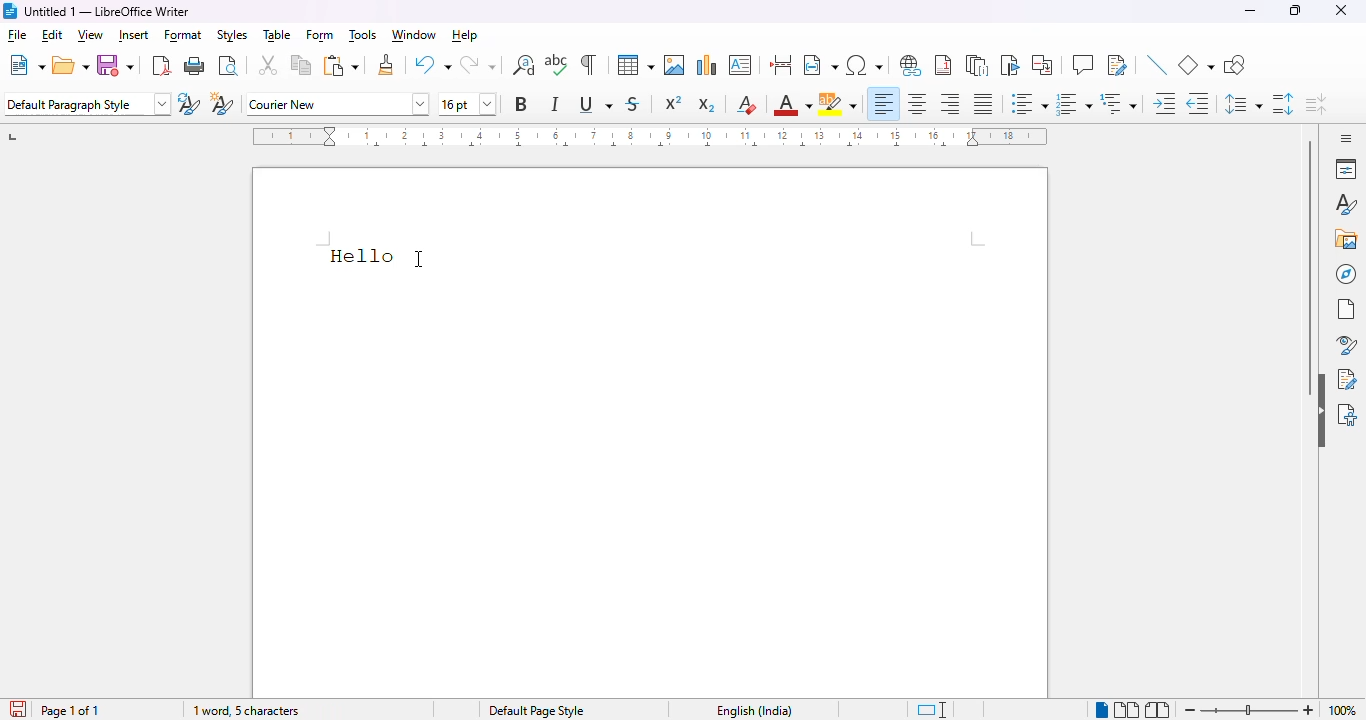 The width and height of the screenshot is (1366, 720). What do you see at coordinates (820, 64) in the screenshot?
I see `insert text field` at bounding box center [820, 64].